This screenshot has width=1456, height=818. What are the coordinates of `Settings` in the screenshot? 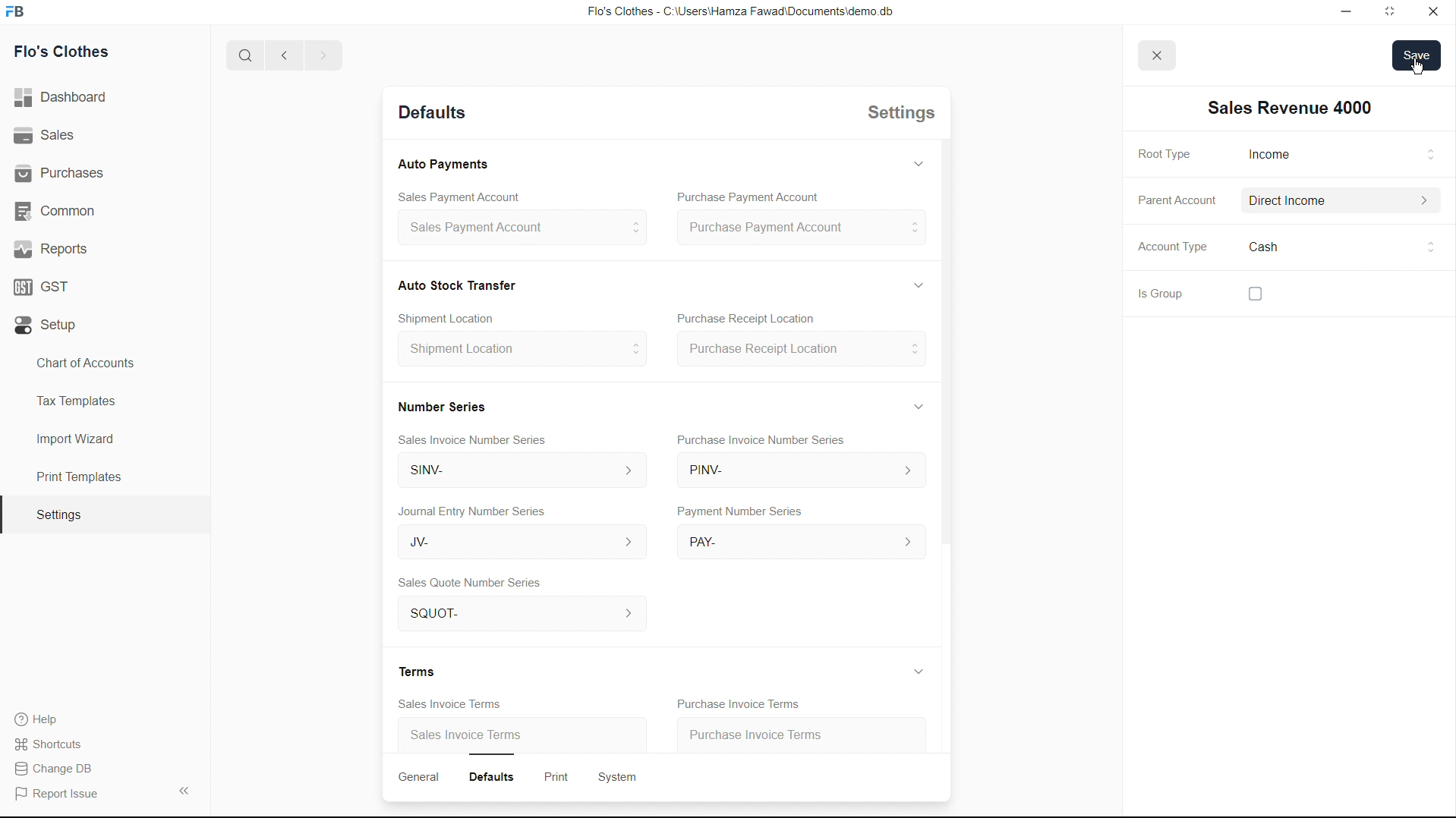 It's located at (897, 116).